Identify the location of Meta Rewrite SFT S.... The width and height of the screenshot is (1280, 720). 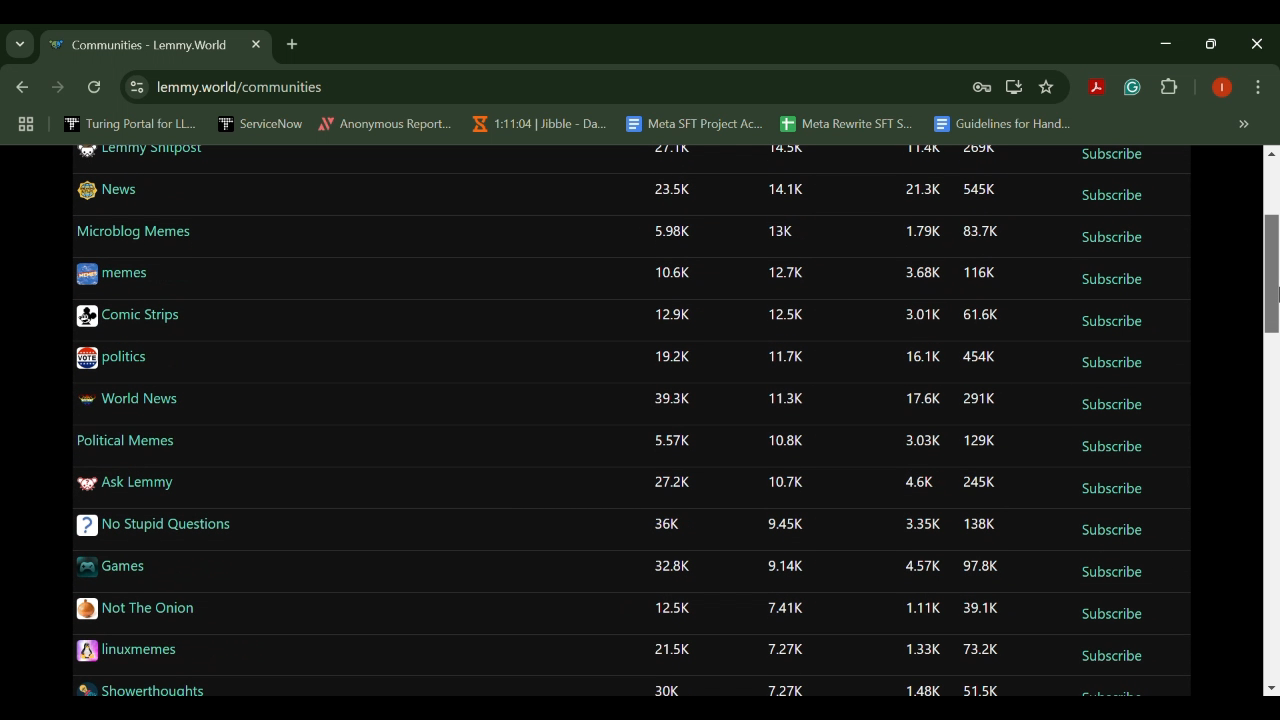
(847, 125).